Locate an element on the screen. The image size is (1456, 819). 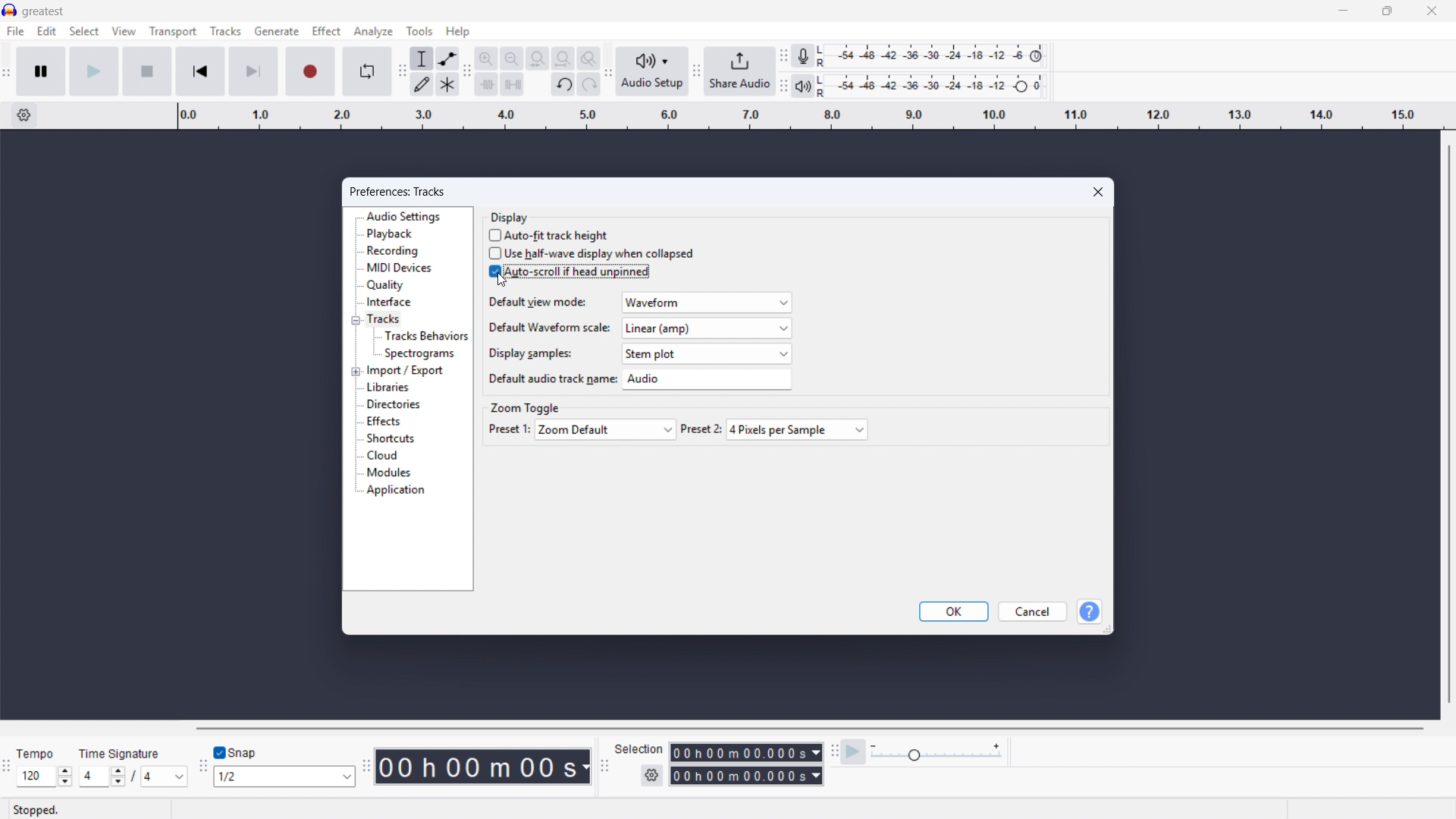
cloud  is located at coordinates (383, 456).